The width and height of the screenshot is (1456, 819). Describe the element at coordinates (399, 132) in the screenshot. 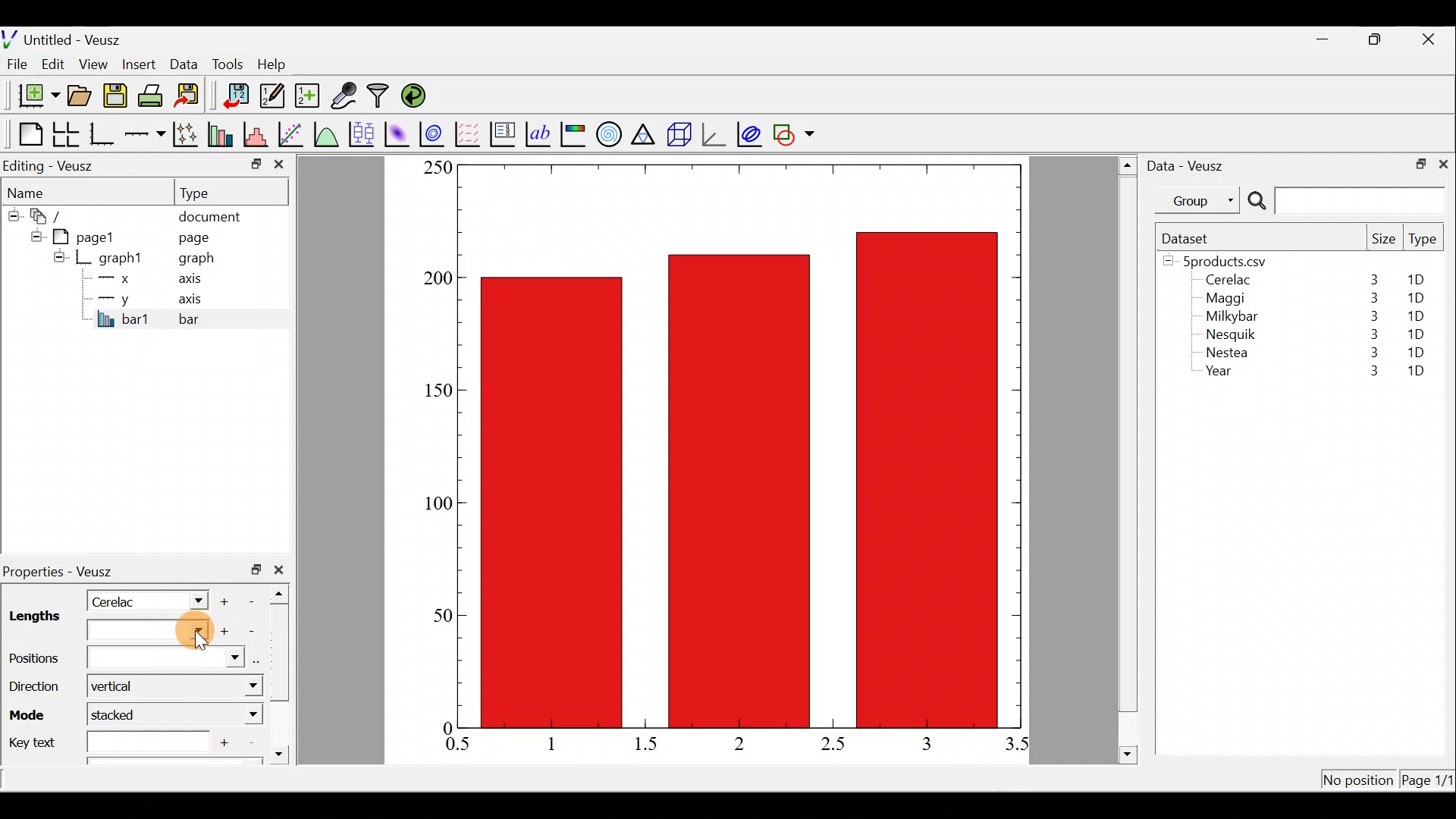

I see `Plot a 2d dataset as an image` at that location.